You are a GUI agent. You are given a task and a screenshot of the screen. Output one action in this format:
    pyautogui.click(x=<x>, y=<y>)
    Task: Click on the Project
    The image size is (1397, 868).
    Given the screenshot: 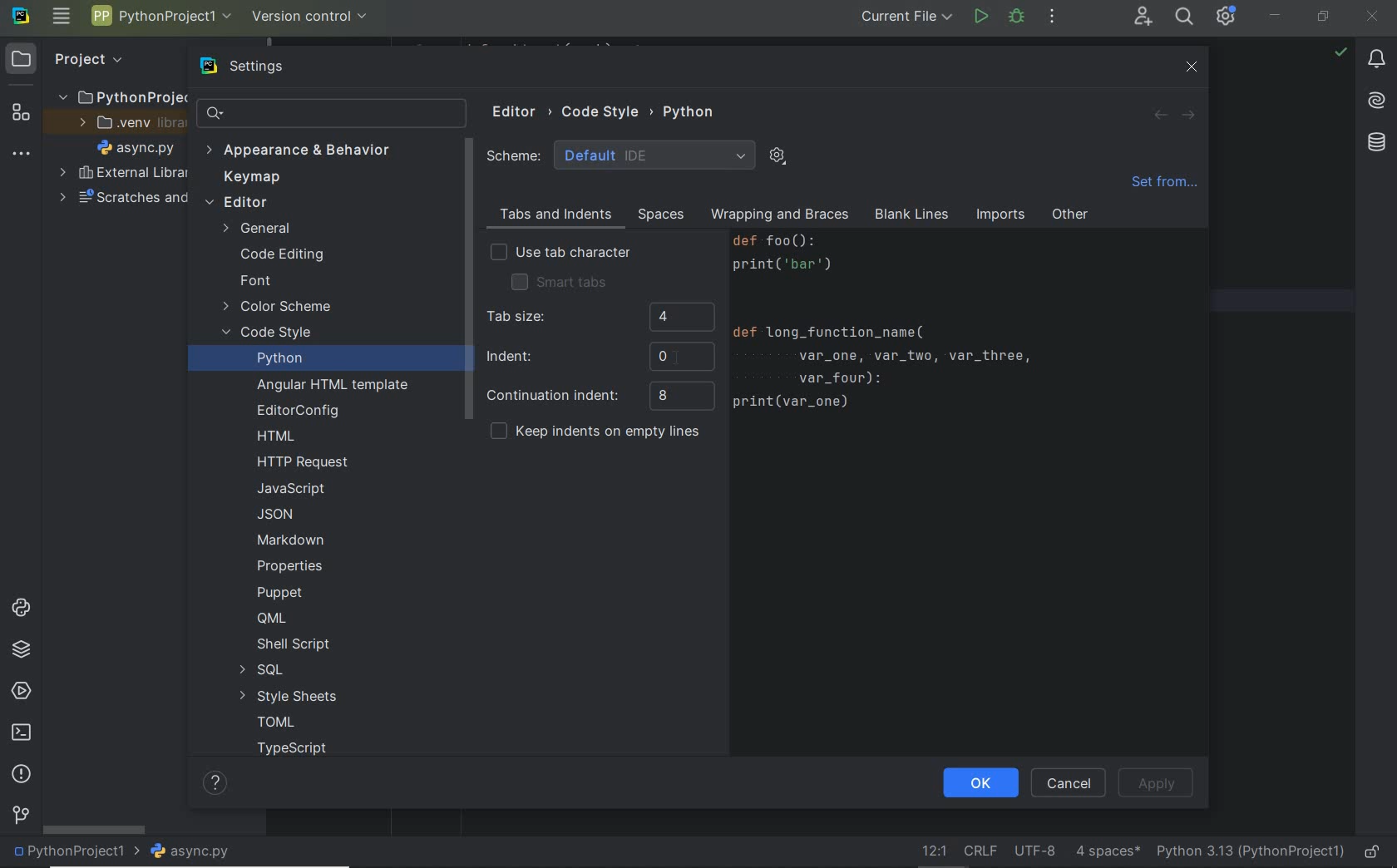 What is the action you would take?
    pyautogui.click(x=74, y=60)
    